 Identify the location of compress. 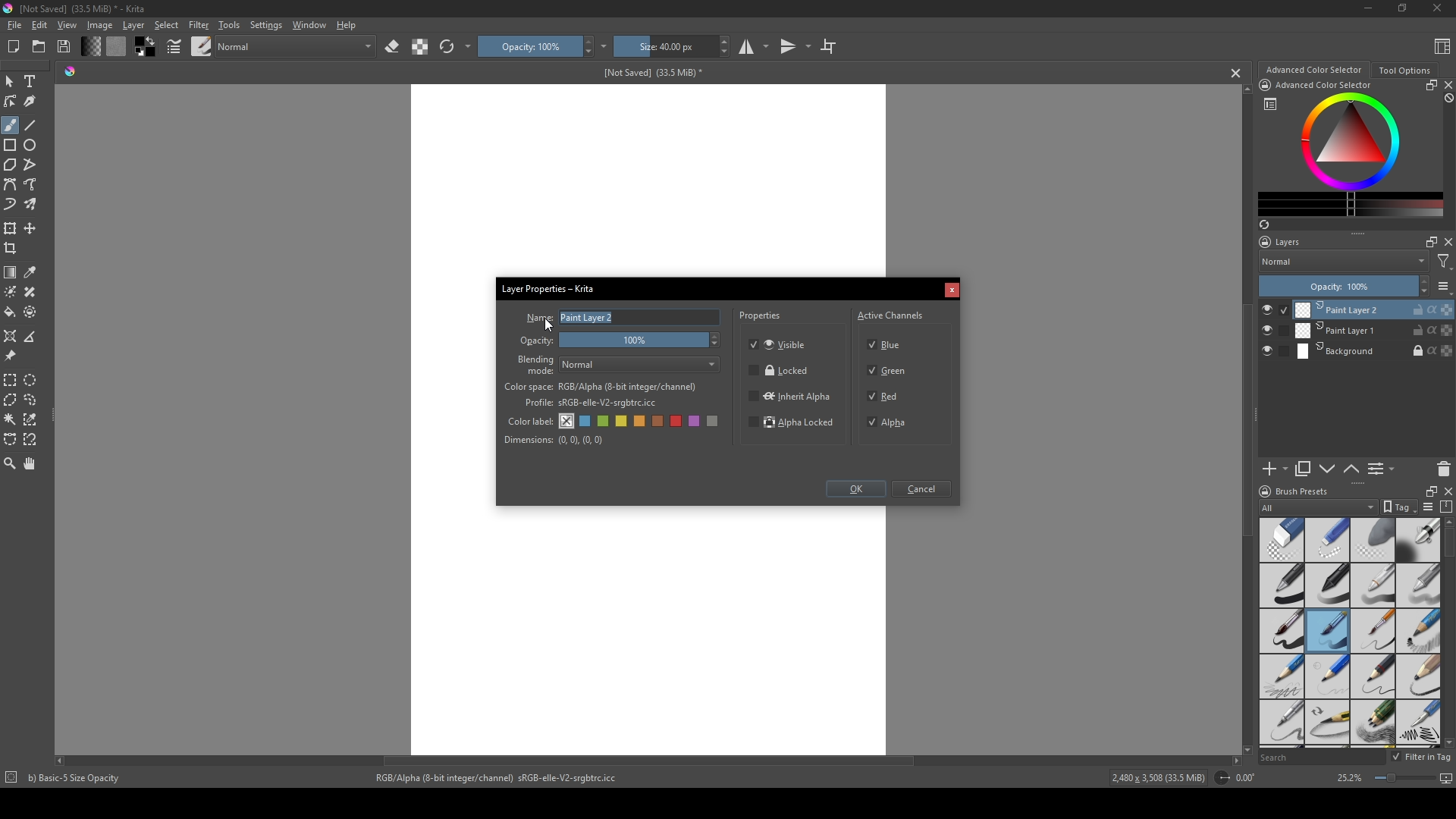
(1447, 507).